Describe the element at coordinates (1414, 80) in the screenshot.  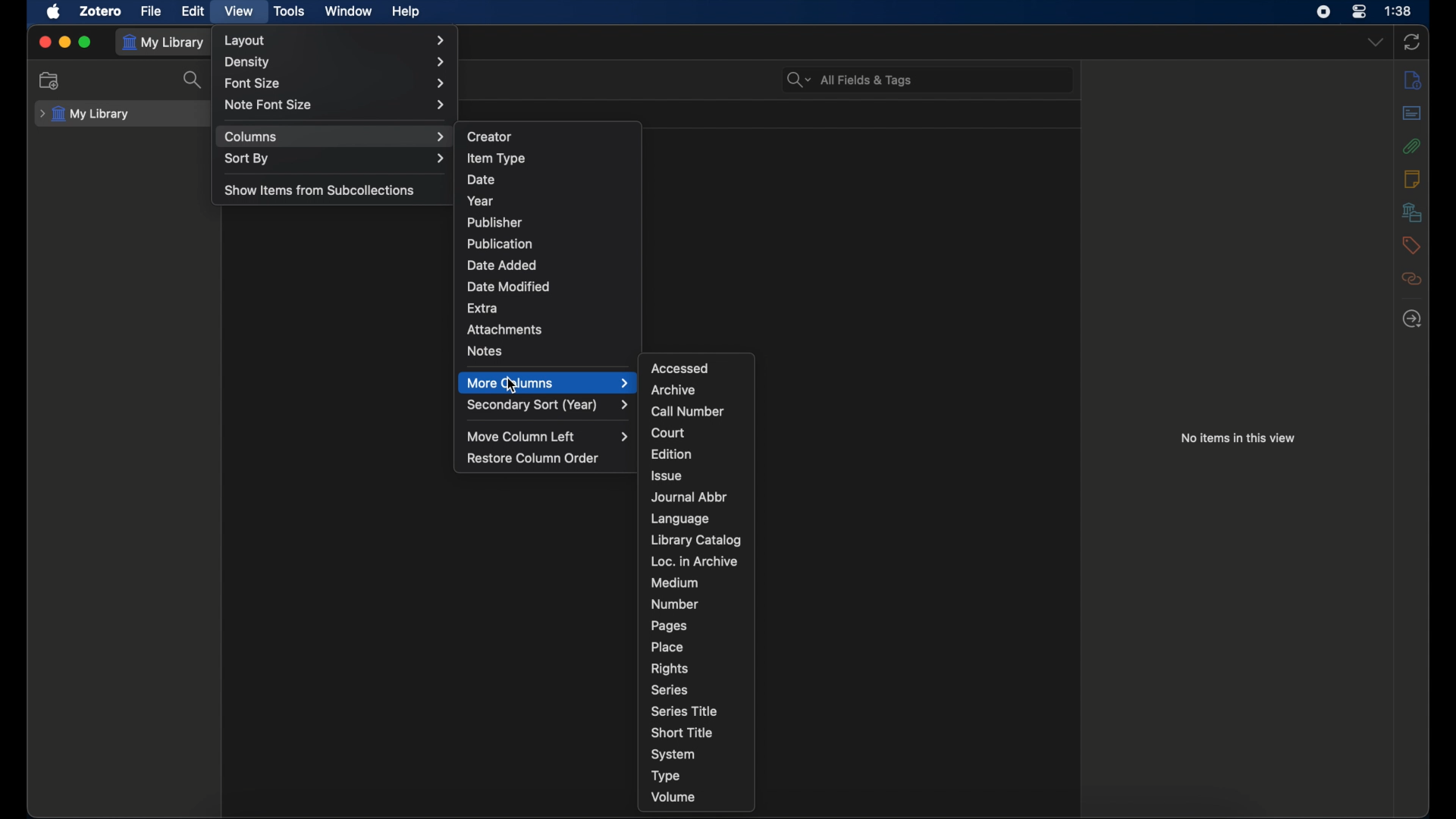
I see `info` at that location.